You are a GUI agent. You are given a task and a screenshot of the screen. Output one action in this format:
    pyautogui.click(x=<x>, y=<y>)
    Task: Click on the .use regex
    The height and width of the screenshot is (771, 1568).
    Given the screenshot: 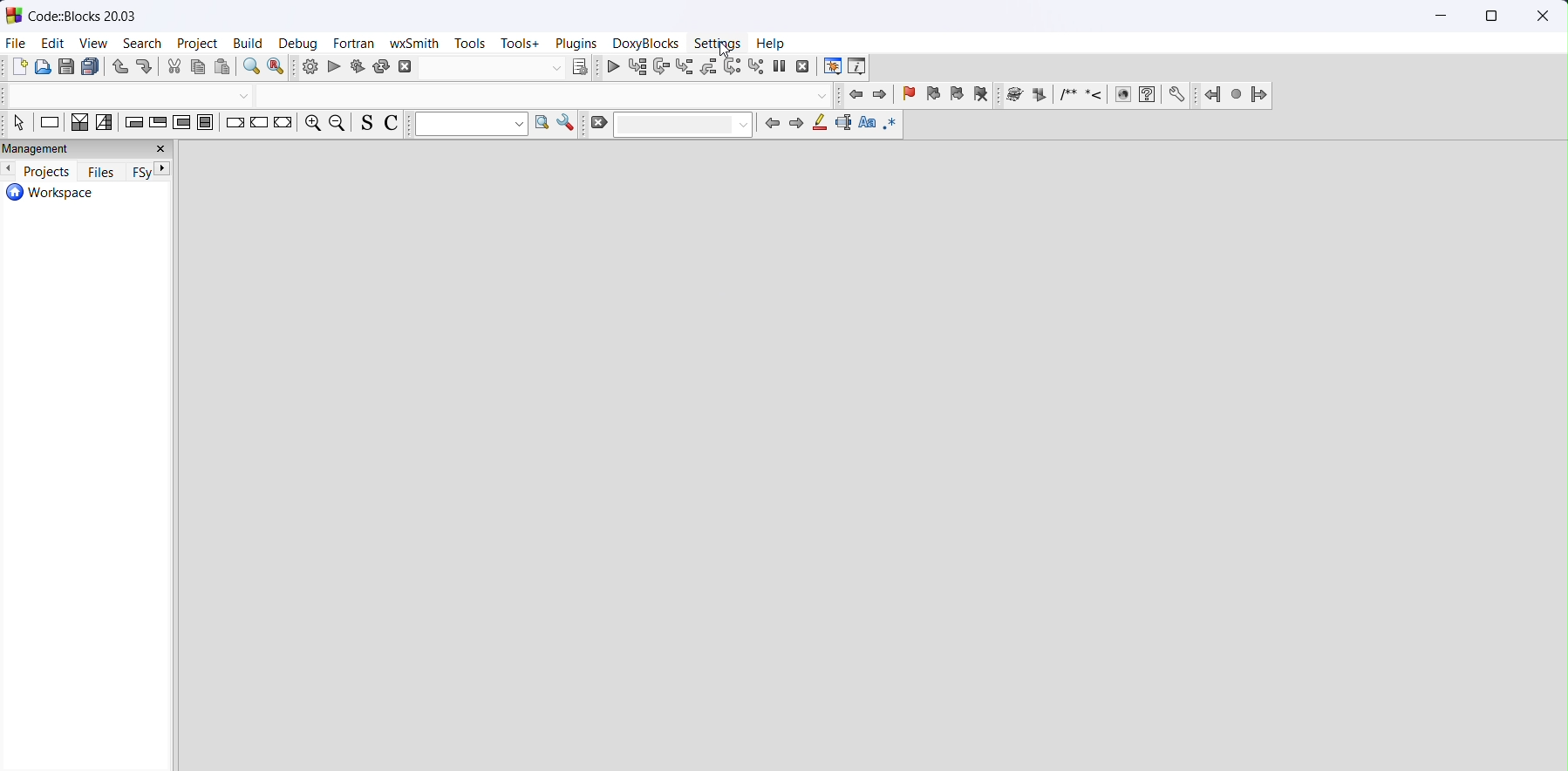 What is the action you would take?
    pyautogui.click(x=892, y=125)
    